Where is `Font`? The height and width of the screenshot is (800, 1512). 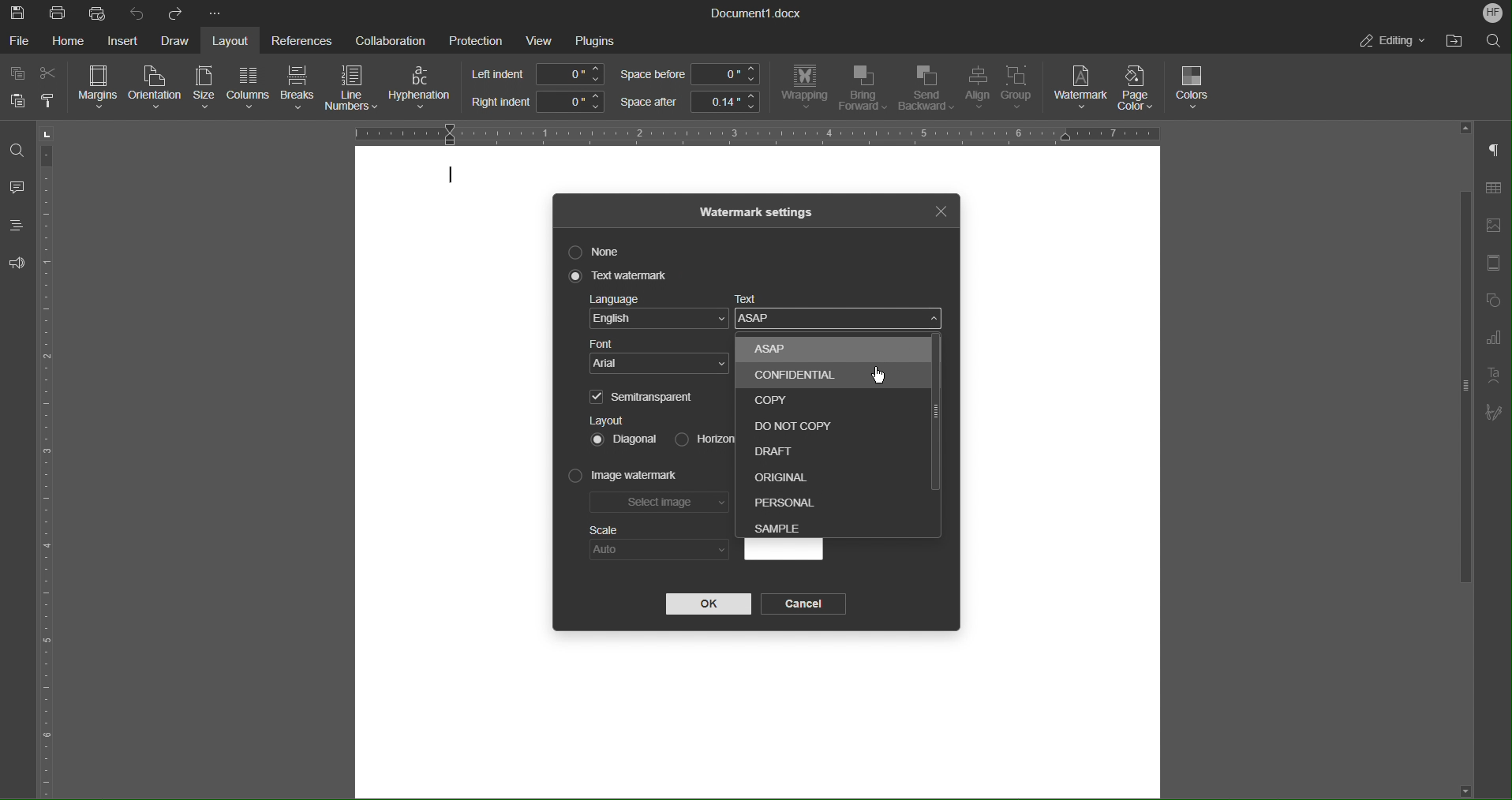
Font is located at coordinates (661, 357).